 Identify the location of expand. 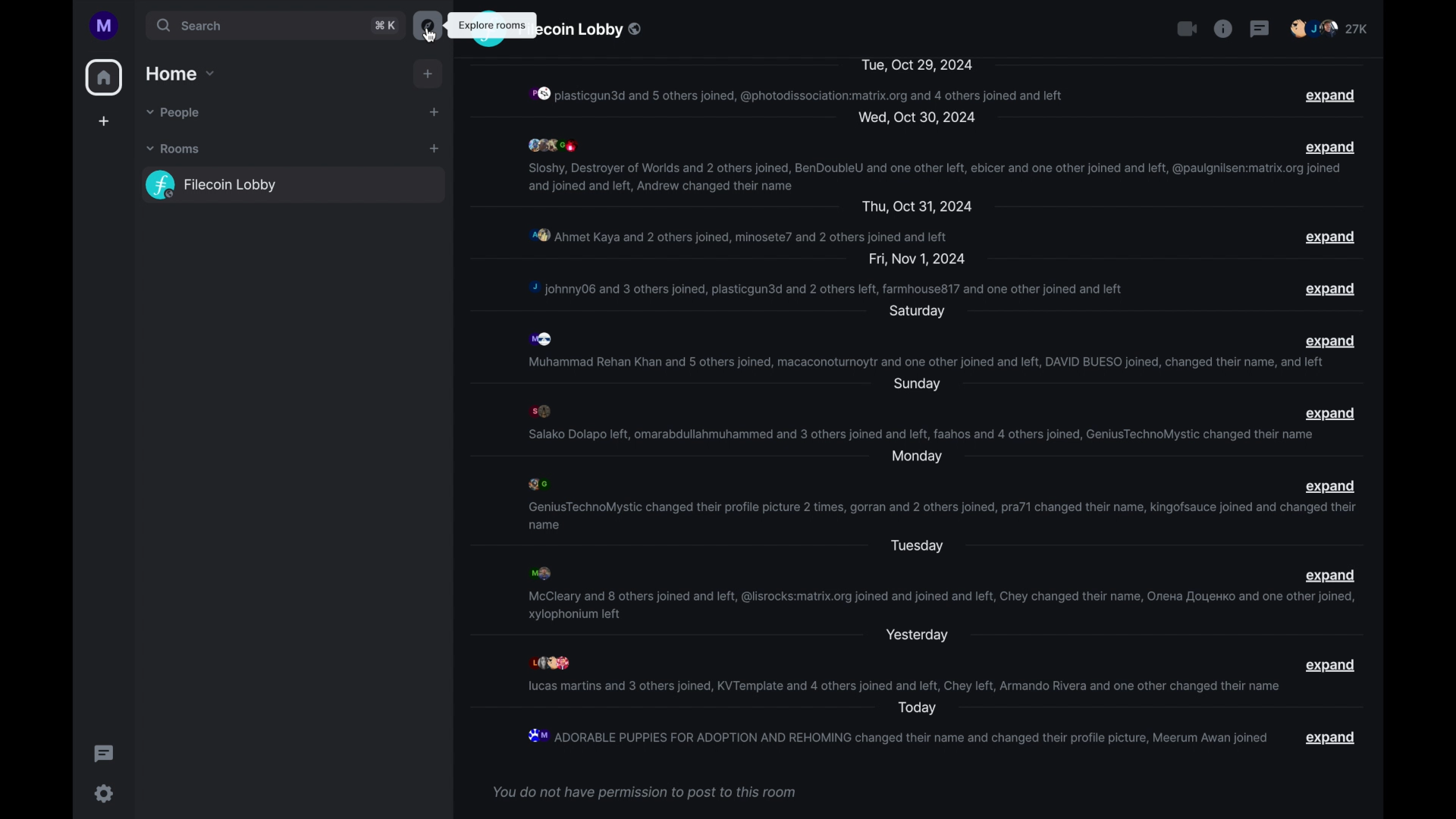
(1329, 237).